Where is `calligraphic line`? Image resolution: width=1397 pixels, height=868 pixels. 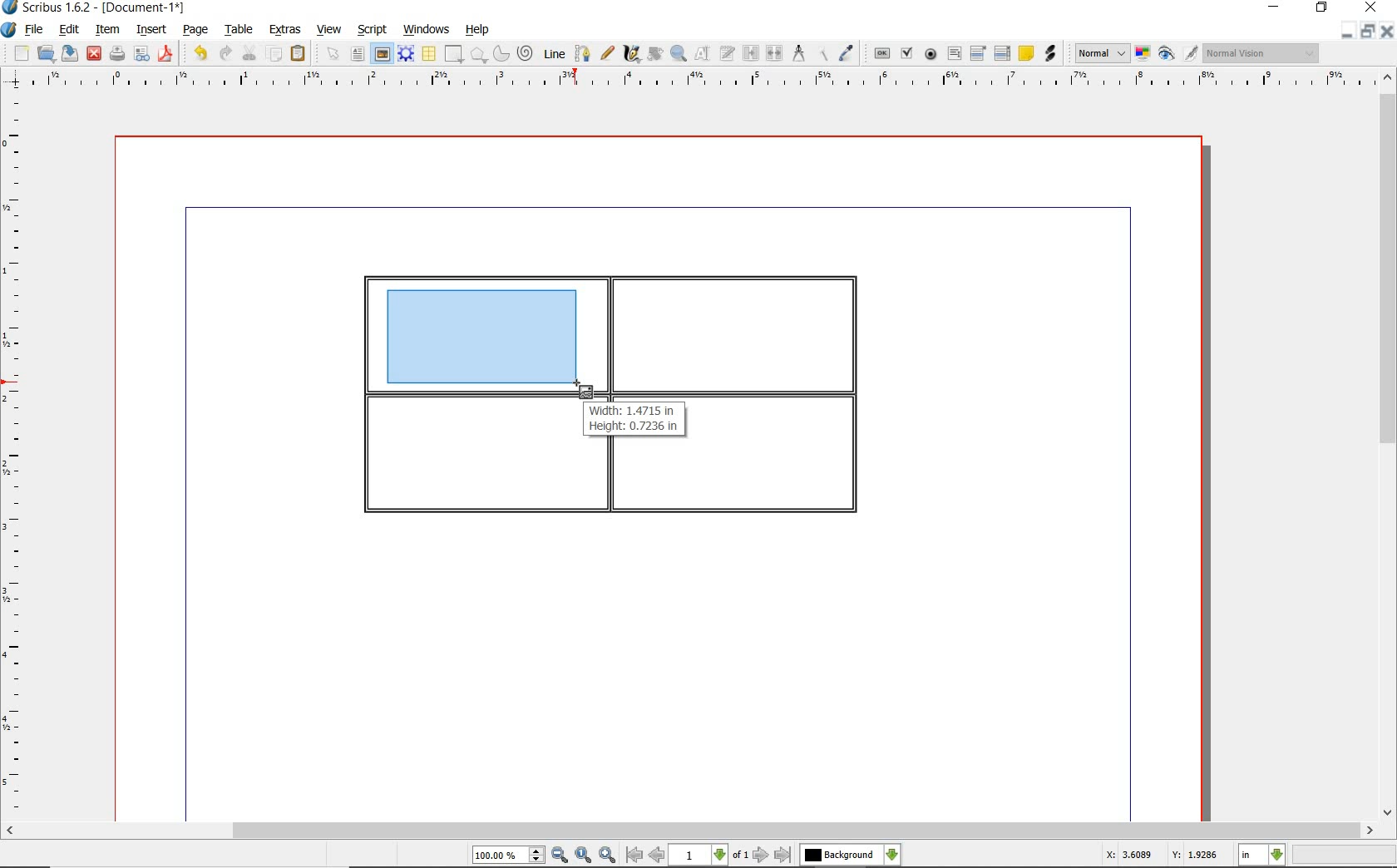 calligraphic line is located at coordinates (632, 54).